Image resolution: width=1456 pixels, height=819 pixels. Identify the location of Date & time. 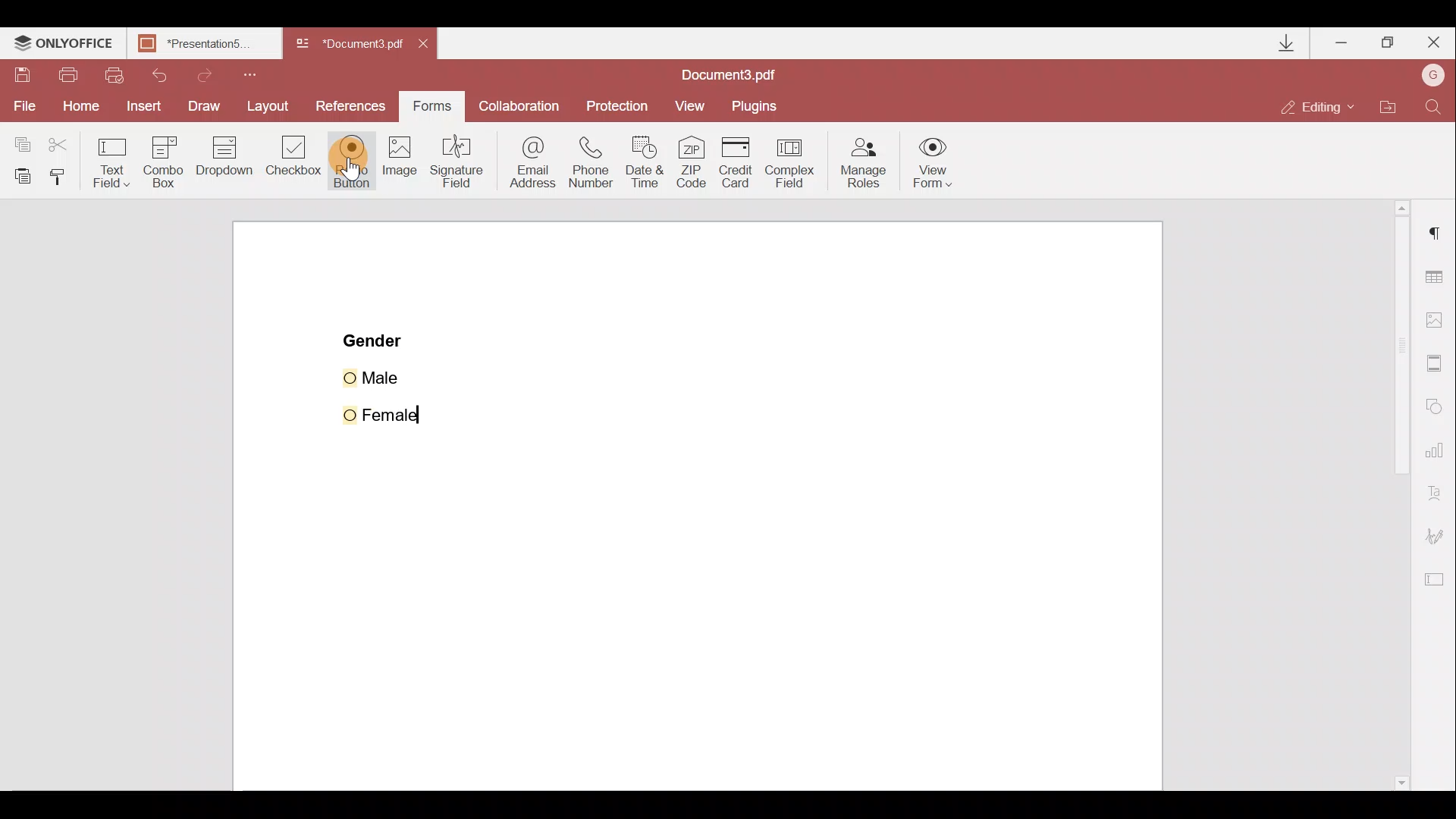
(650, 164).